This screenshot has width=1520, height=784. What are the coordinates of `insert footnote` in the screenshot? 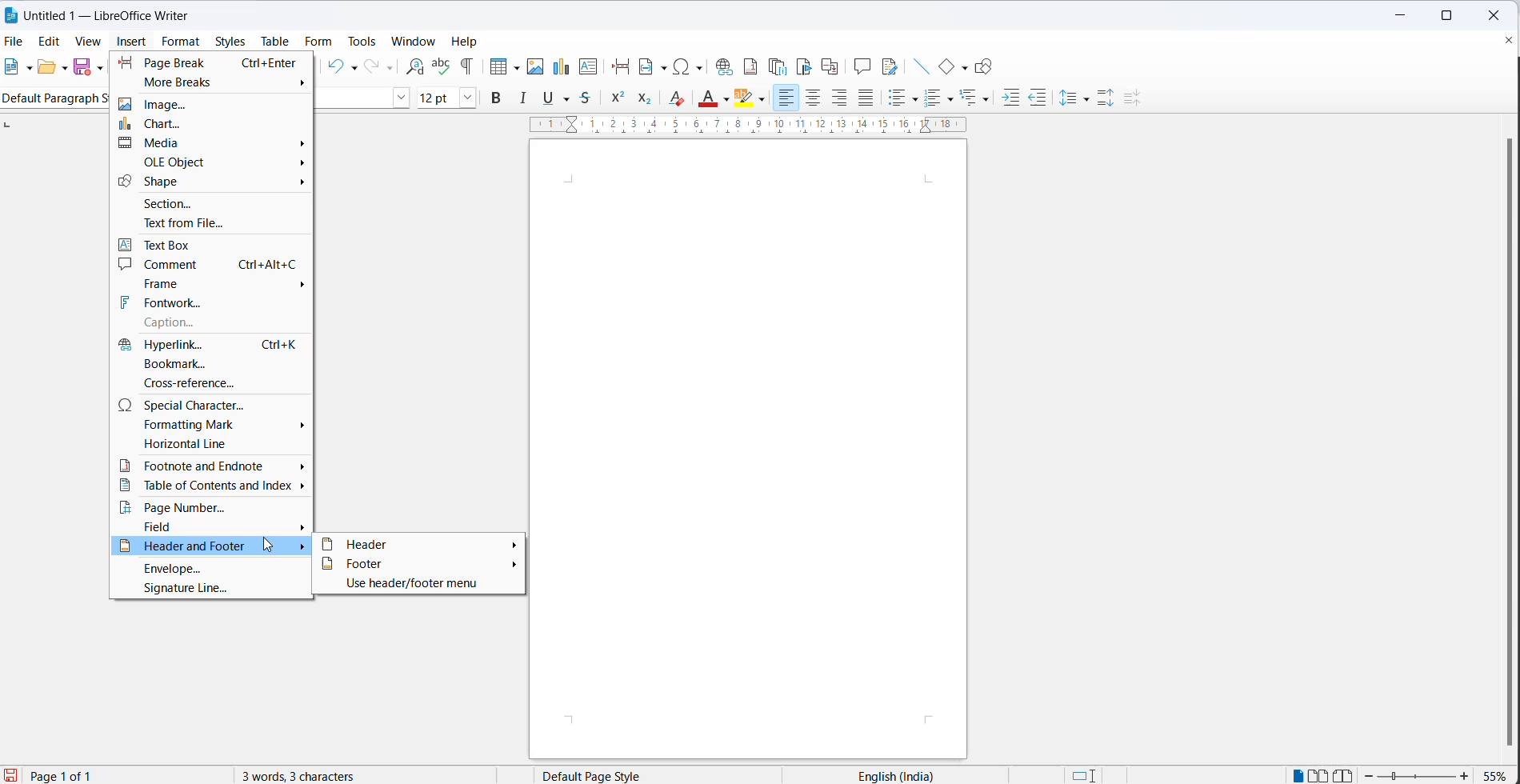 It's located at (752, 66).